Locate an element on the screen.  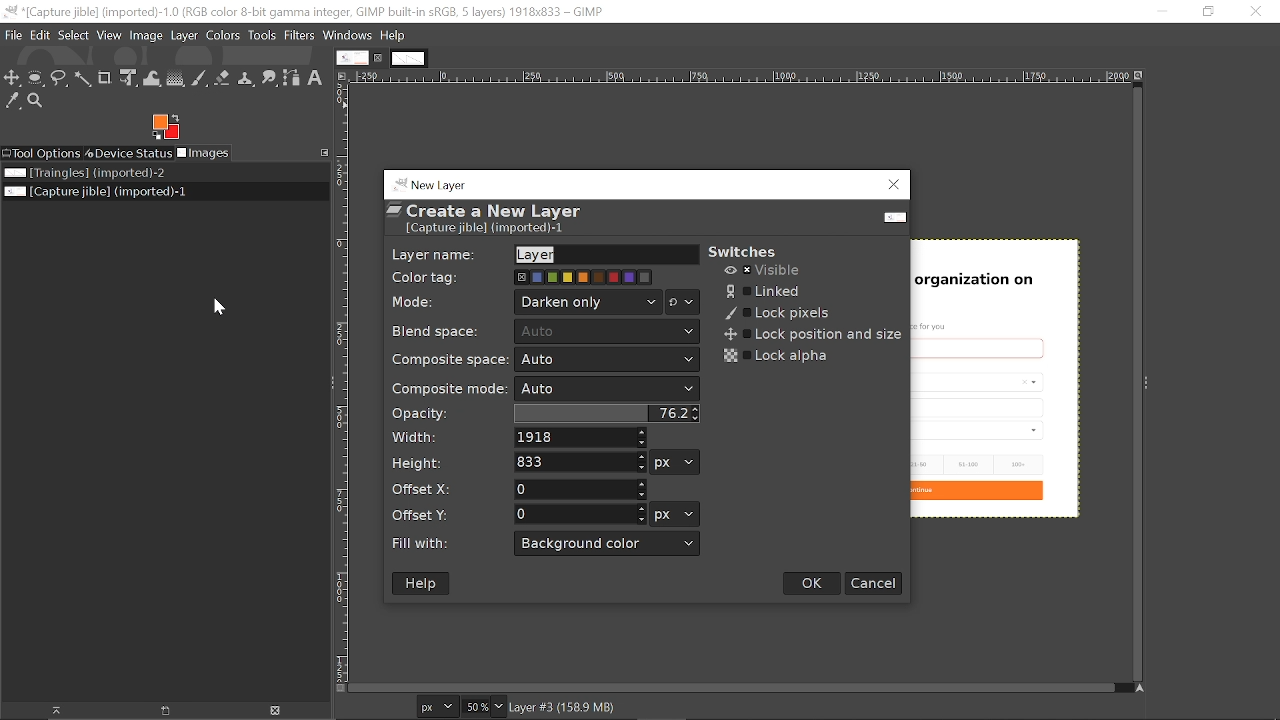
Current image units is located at coordinates (439, 705).